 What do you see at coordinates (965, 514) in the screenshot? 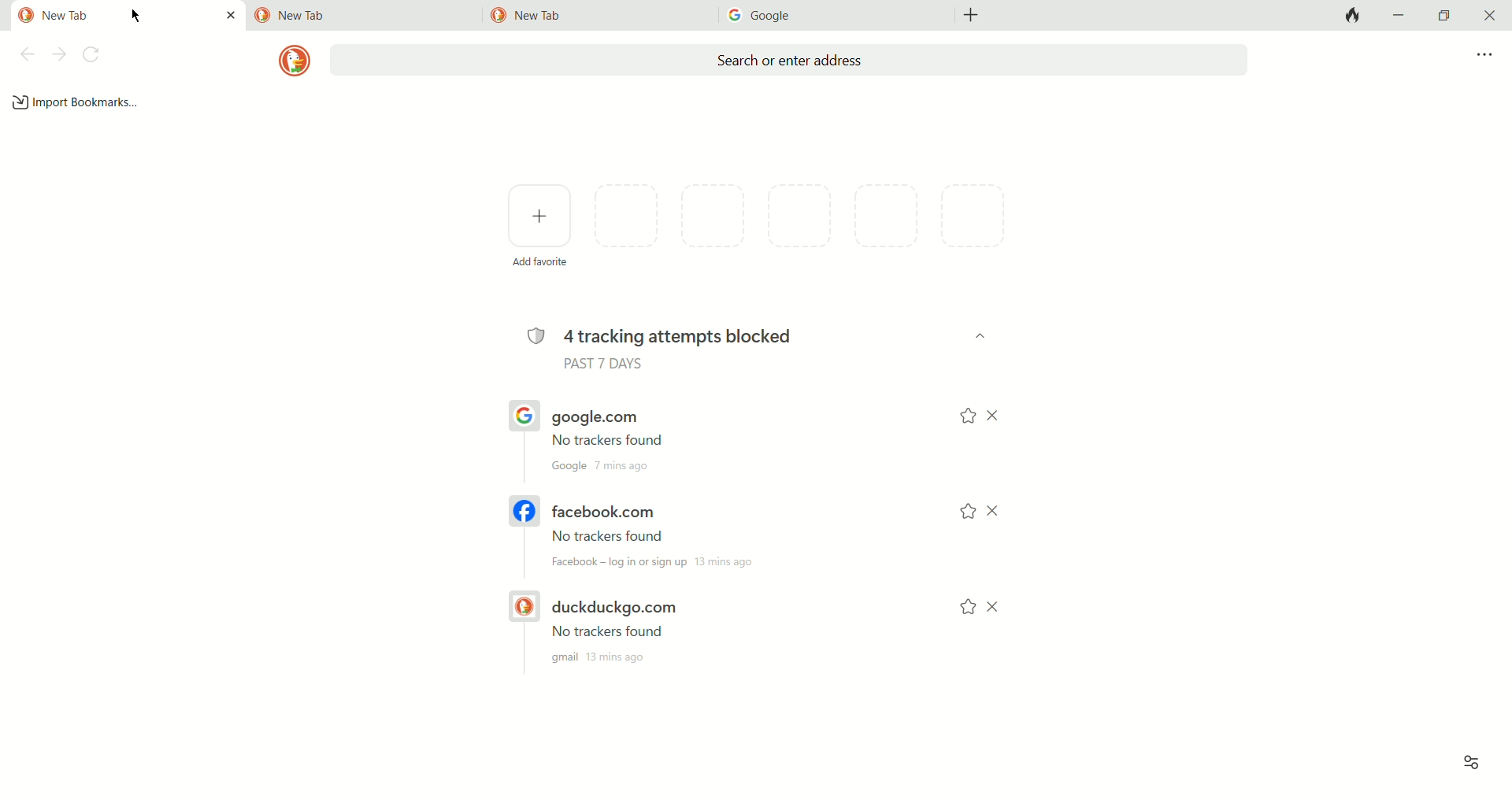
I see `add to favorites` at bounding box center [965, 514].